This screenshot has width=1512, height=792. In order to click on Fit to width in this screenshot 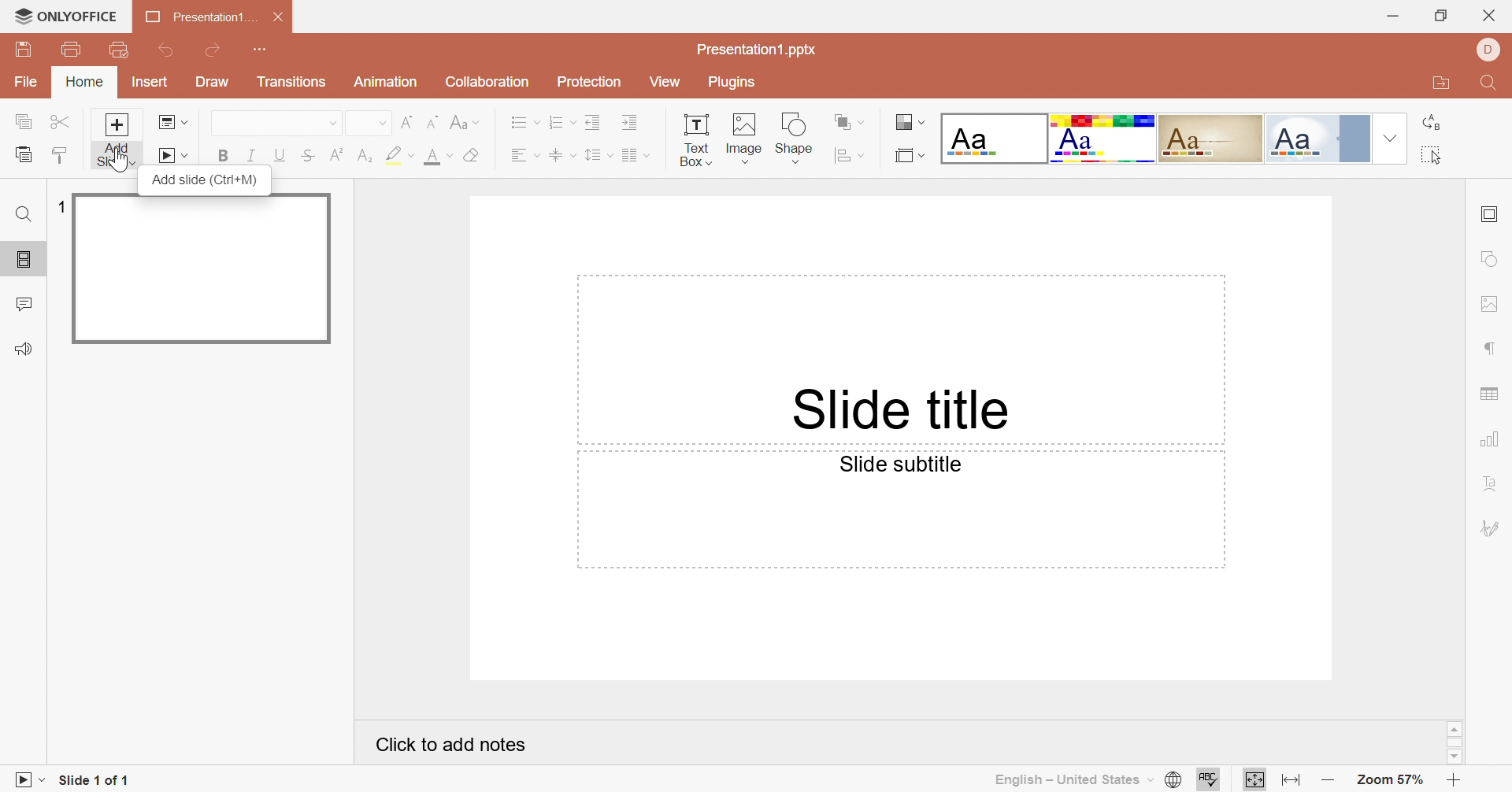, I will do `click(1291, 781)`.